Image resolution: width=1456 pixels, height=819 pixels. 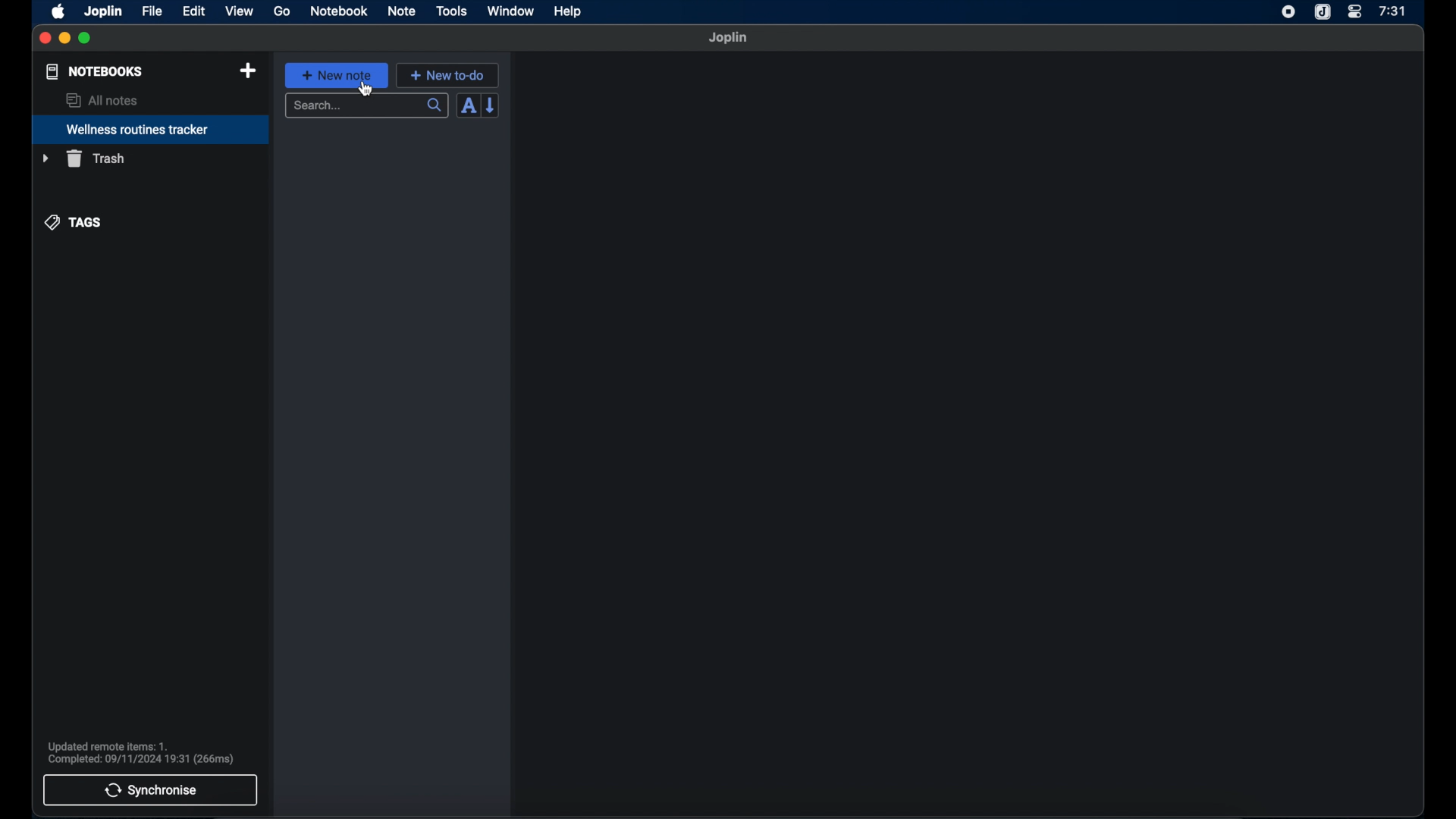 What do you see at coordinates (511, 11) in the screenshot?
I see `window` at bounding box center [511, 11].